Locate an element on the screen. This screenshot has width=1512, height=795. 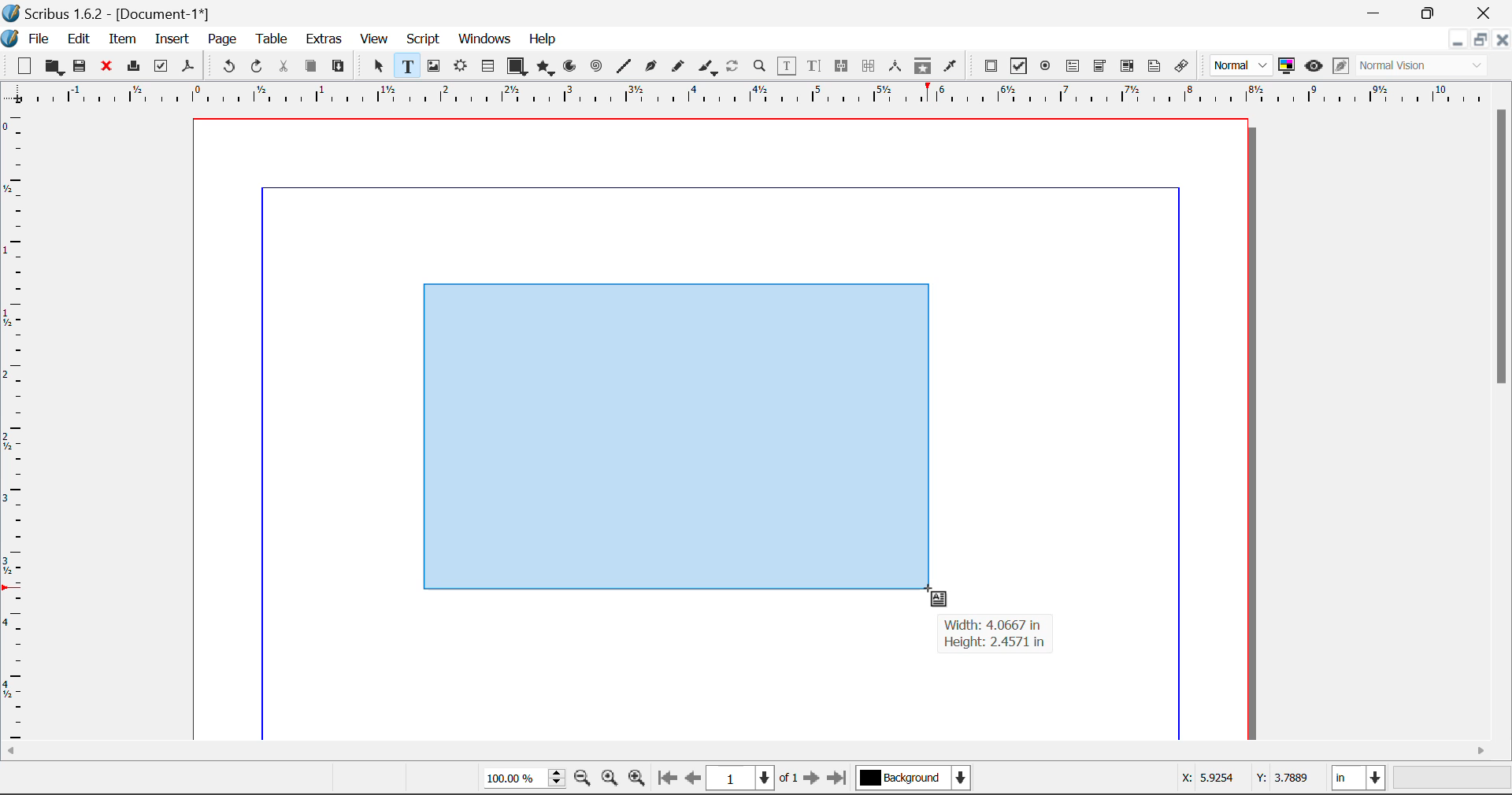
Extras is located at coordinates (325, 39).